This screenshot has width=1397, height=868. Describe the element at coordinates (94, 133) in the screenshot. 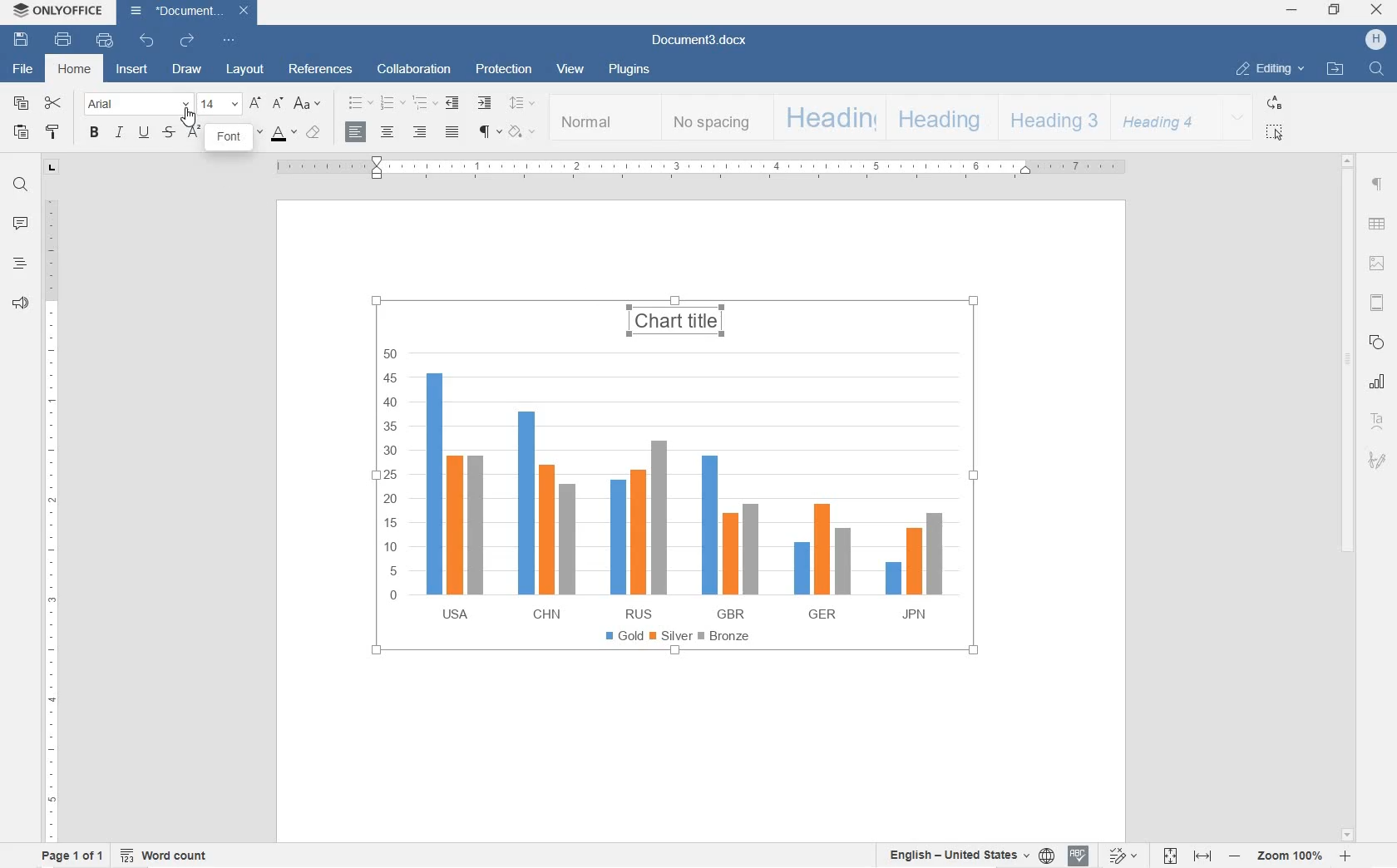

I see `BOLD` at that location.